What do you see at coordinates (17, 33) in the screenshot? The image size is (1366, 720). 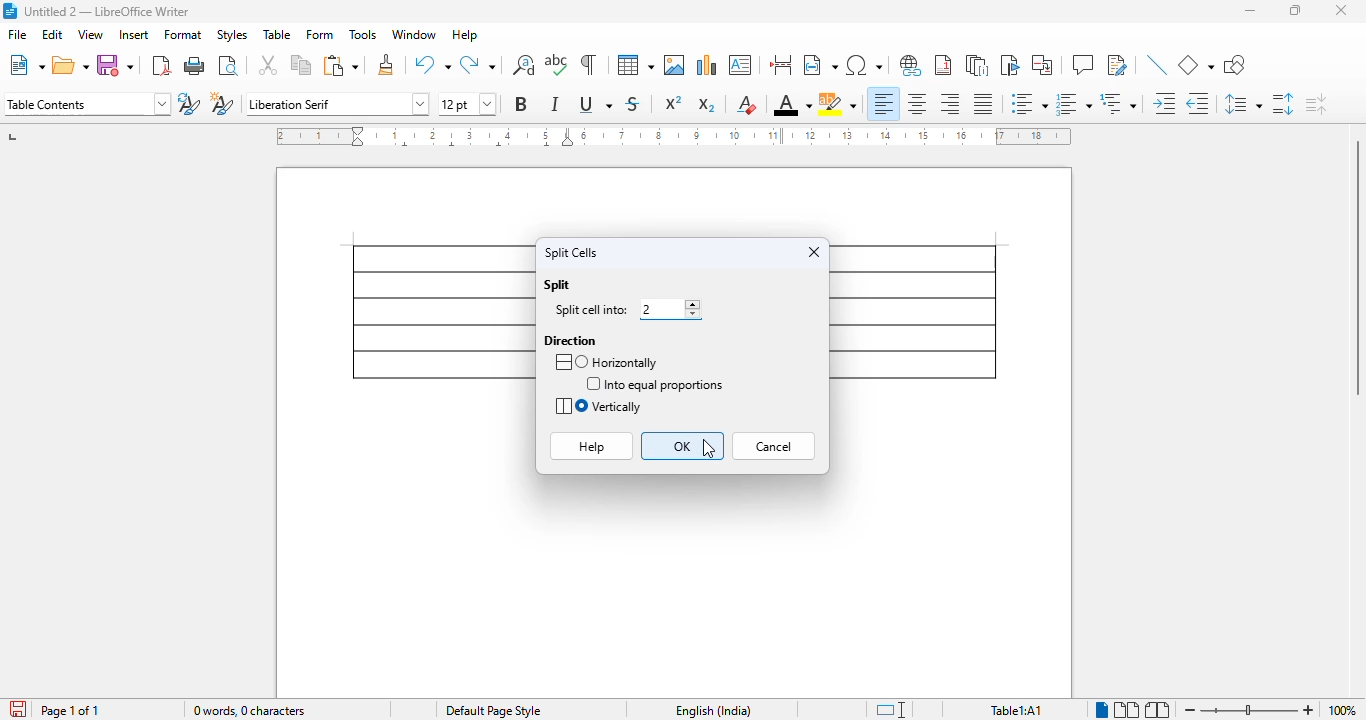 I see `file` at bounding box center [17, 33].